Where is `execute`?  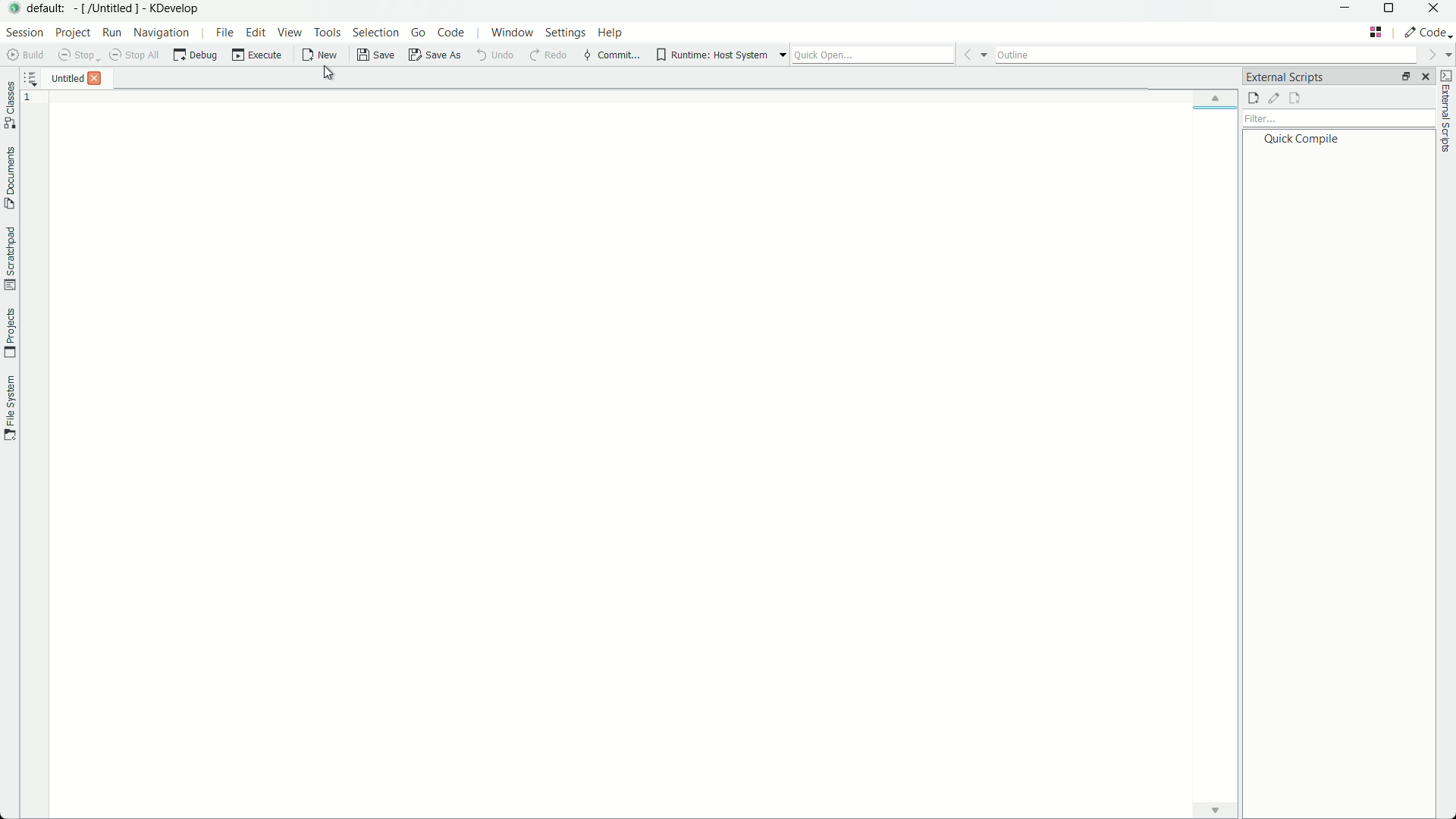 execute is located at coordinates (256, 55).